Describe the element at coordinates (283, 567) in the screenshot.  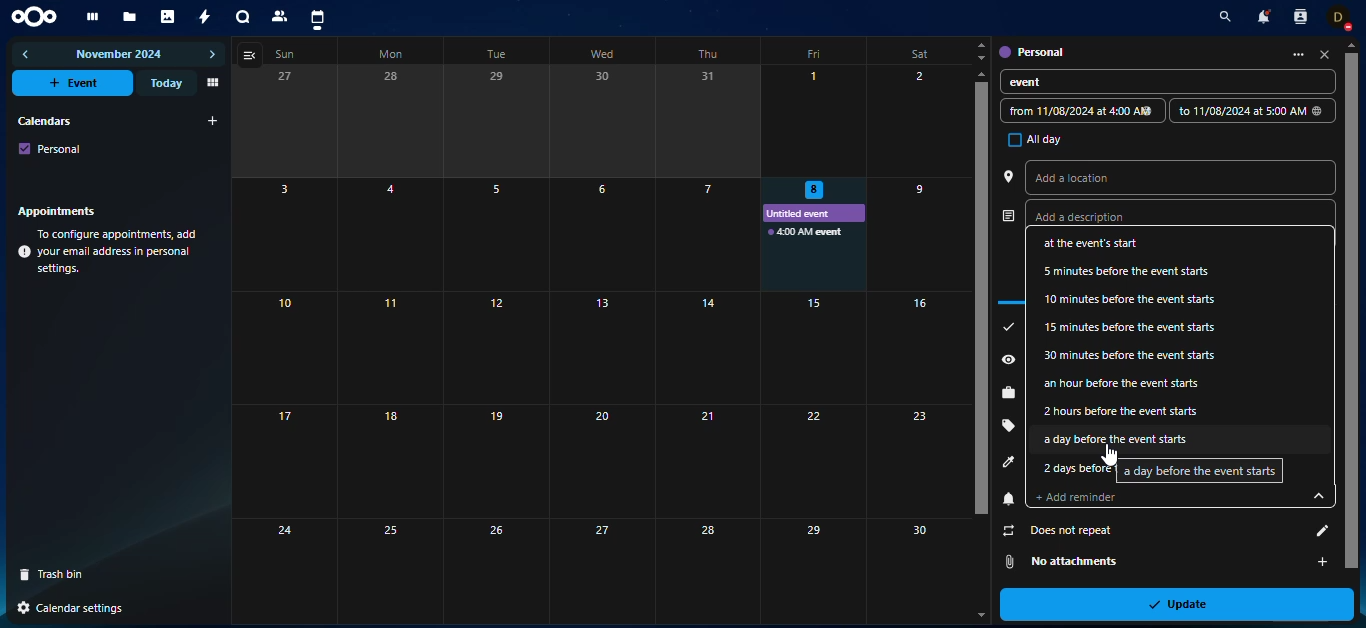
I see `24` at that location.